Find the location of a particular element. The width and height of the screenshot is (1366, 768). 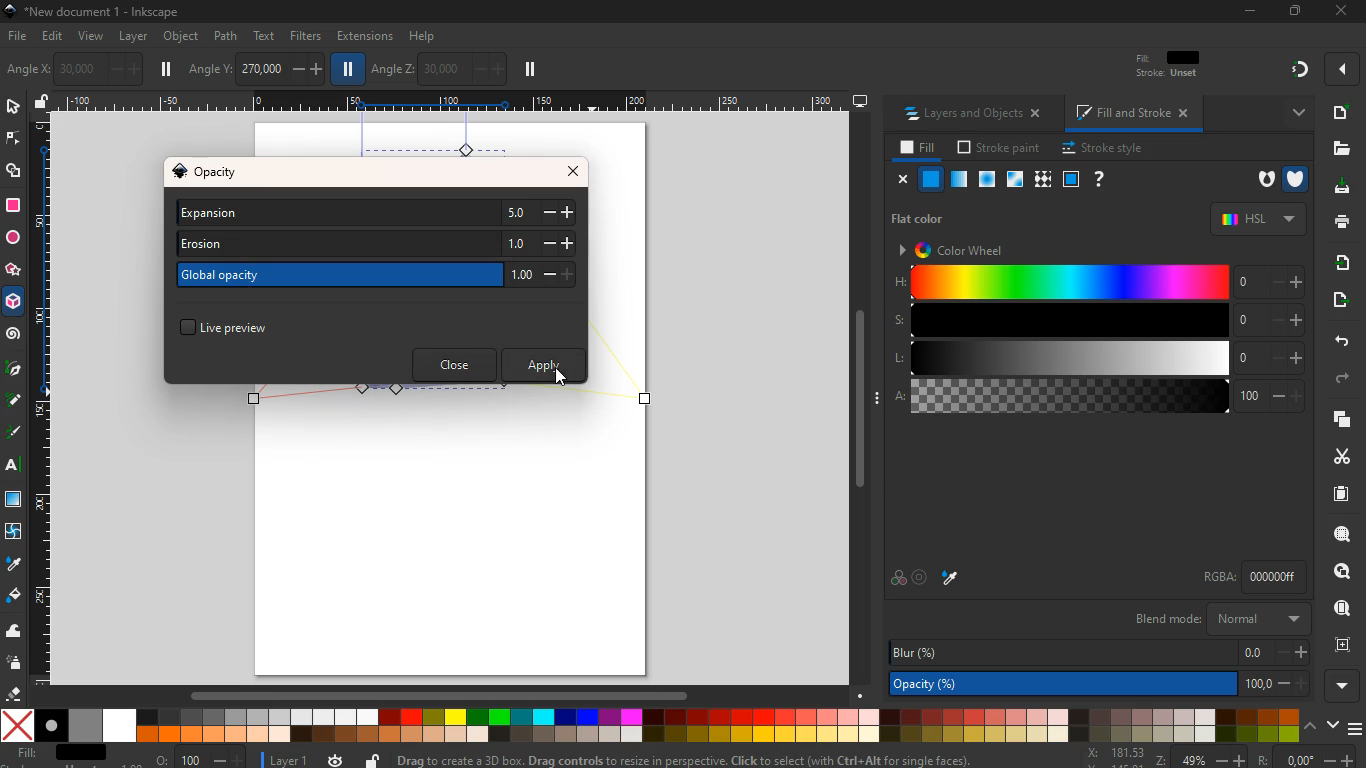

view is located at coordinates (92, 37).